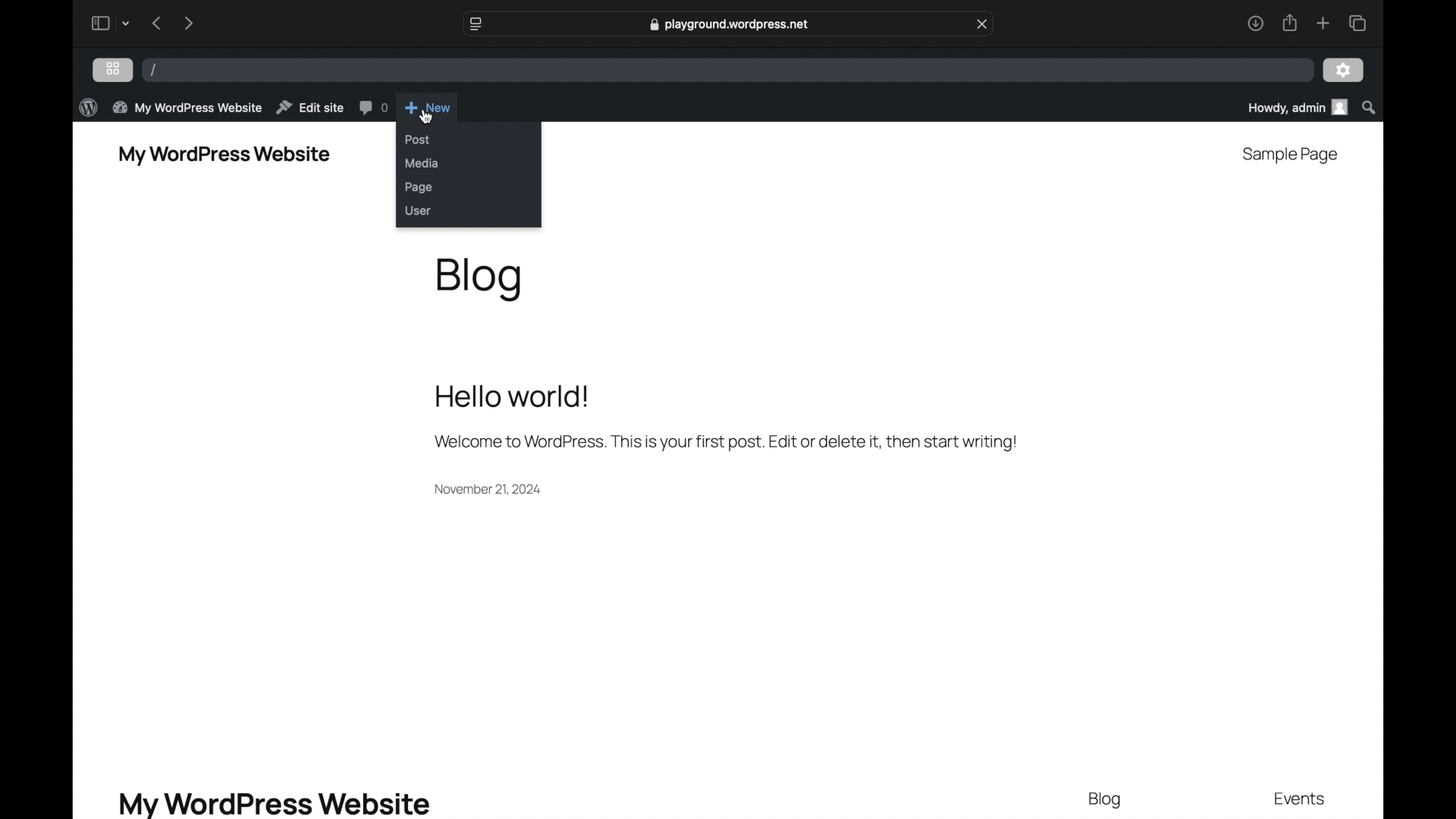 This screenshot has width=1456, height=819. I want to click on wordpress, so click(89, 107).